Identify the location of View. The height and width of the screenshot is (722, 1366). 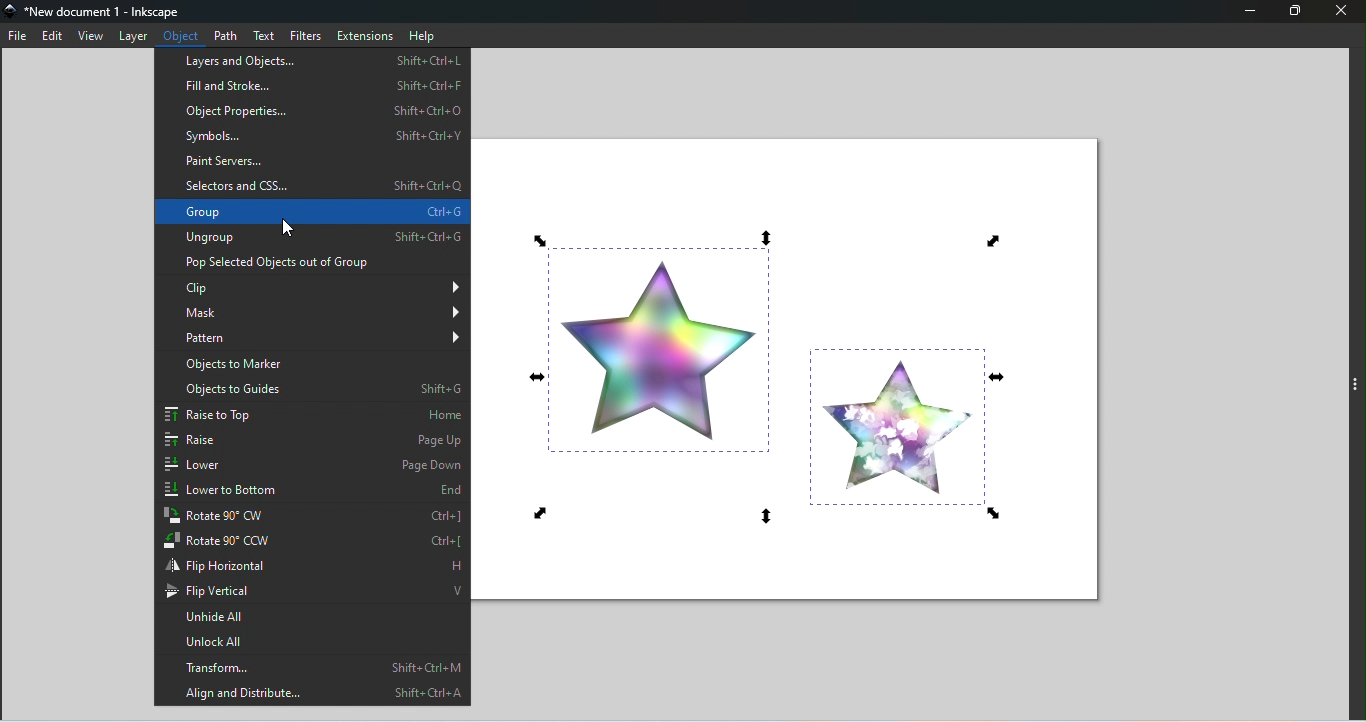
(91, 36).